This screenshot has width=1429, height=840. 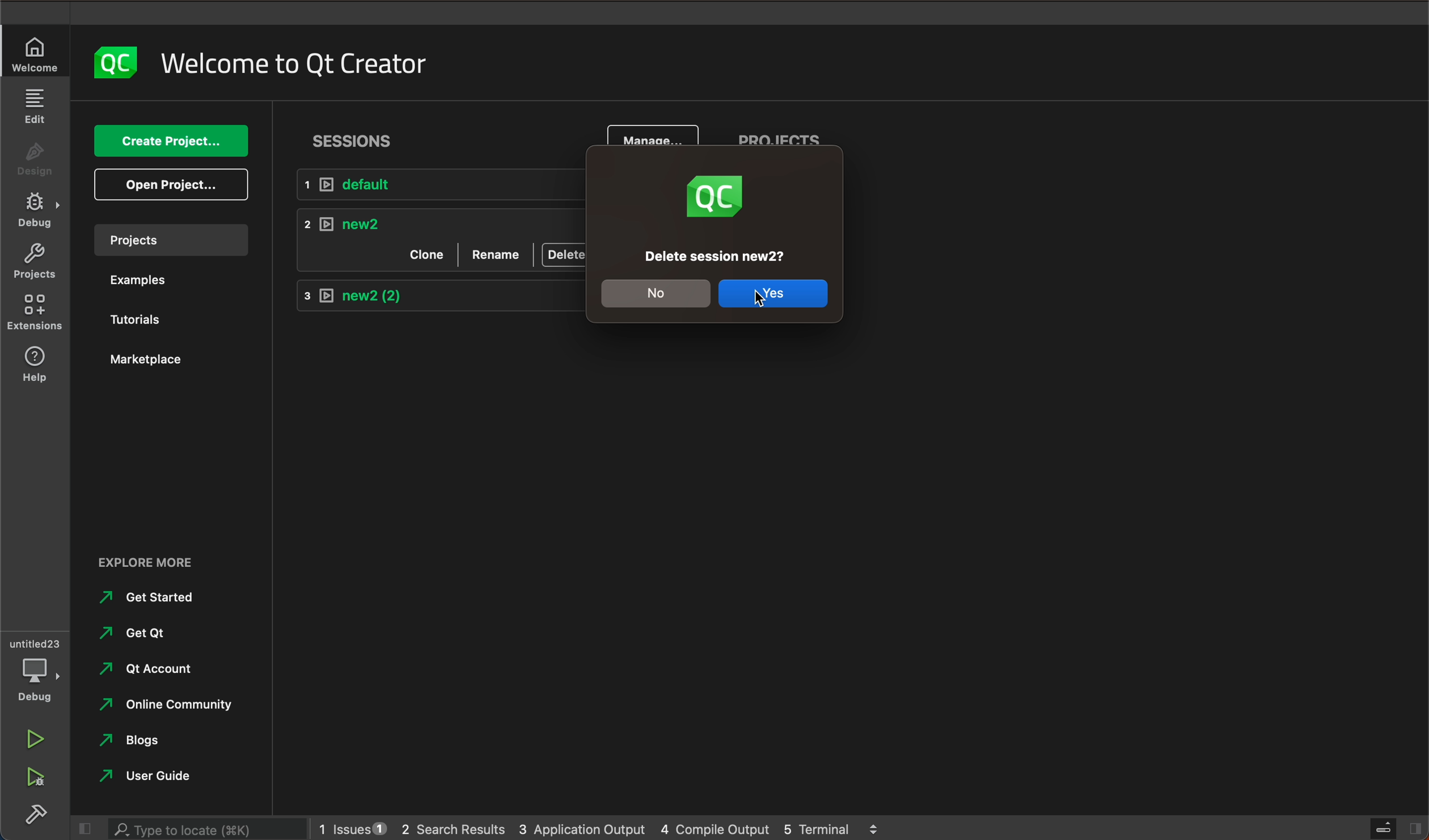 What do you see at coordinates (142, 633) in the screenshot?
I see `Get qt` at bounding box center [142, 633].